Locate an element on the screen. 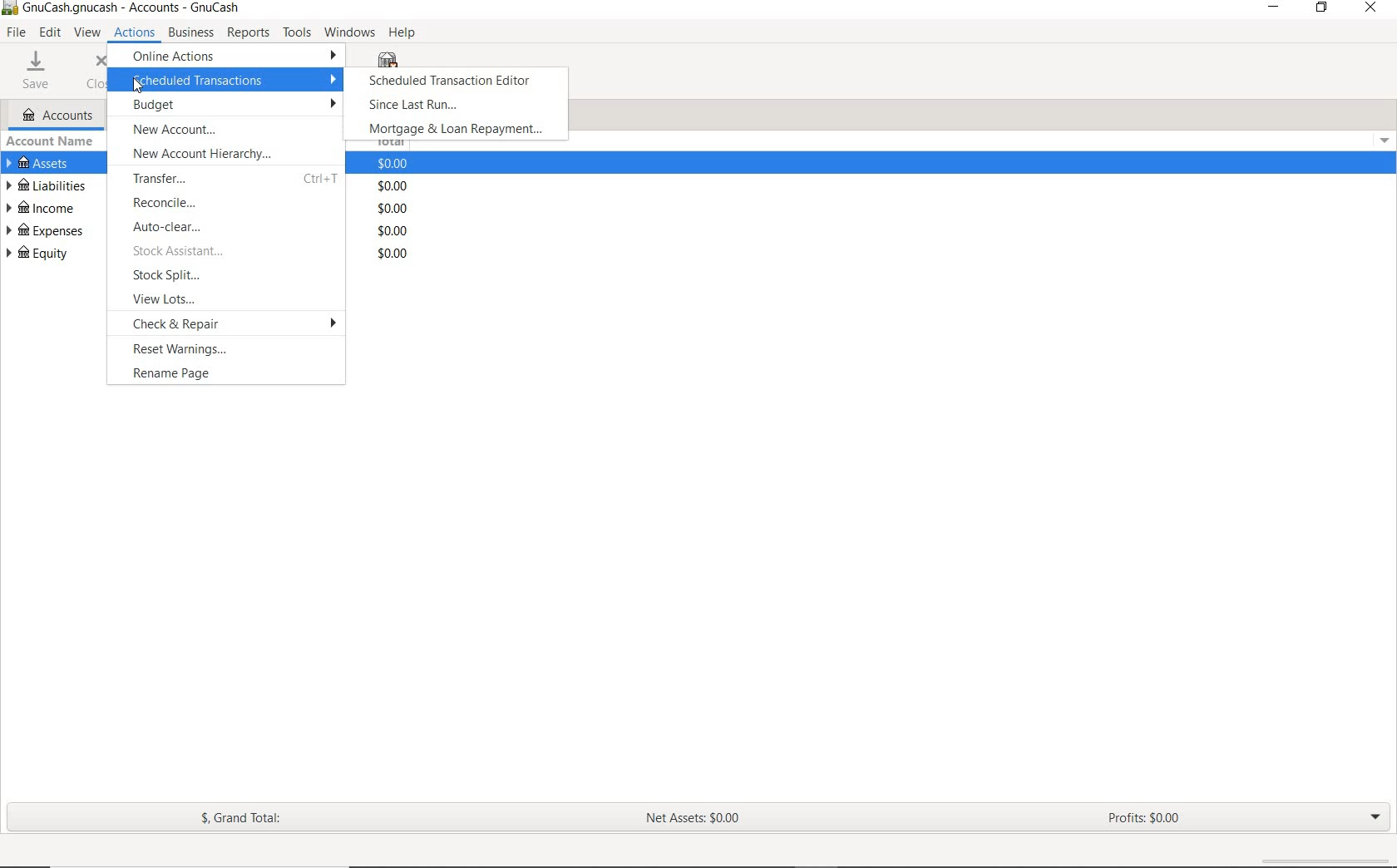  total is located at coordinates (392, 230).